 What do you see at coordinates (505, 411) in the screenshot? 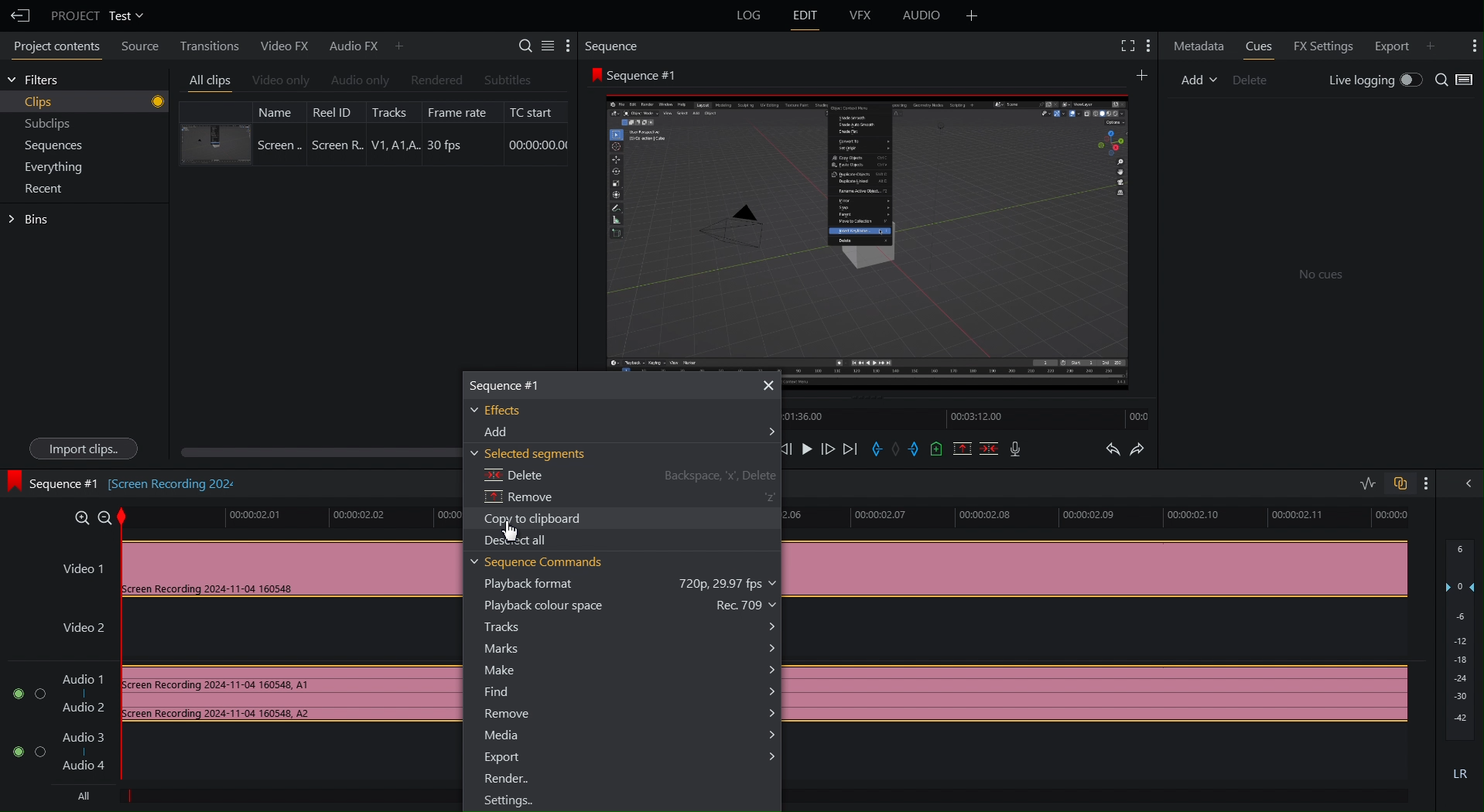
I see `Effects` at bounding box center [505, 411].